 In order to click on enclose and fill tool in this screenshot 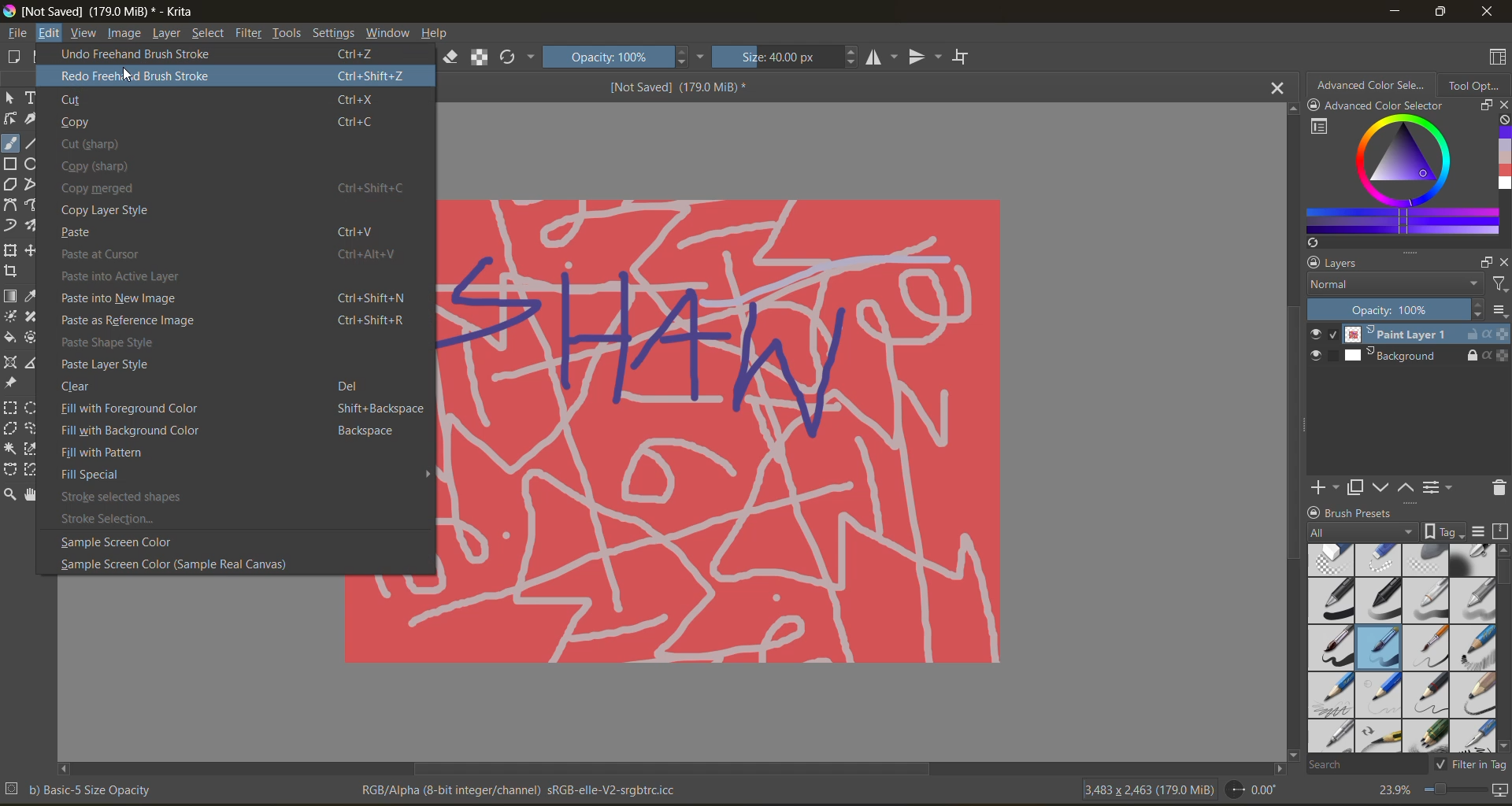, I will do `click(33, 338)`.